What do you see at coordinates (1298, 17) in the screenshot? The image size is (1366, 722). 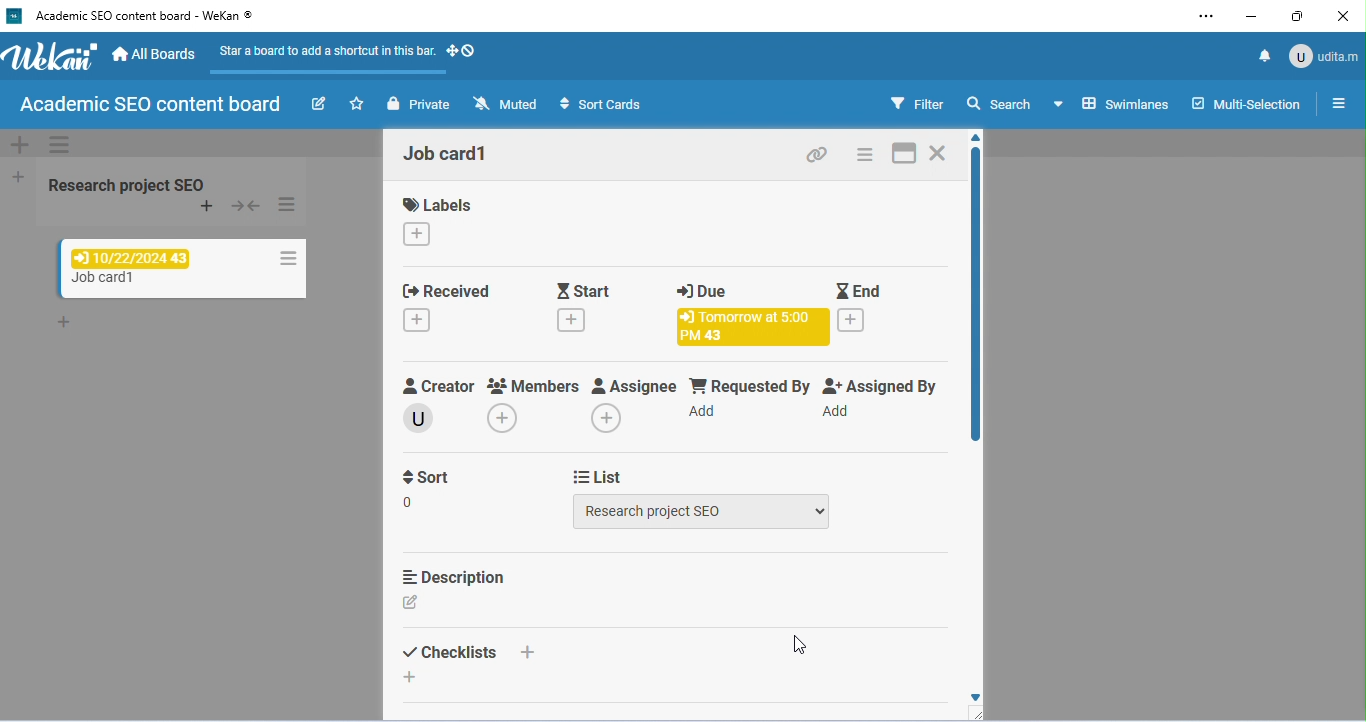 I see `maximize` at bounding box center [1298, 17].